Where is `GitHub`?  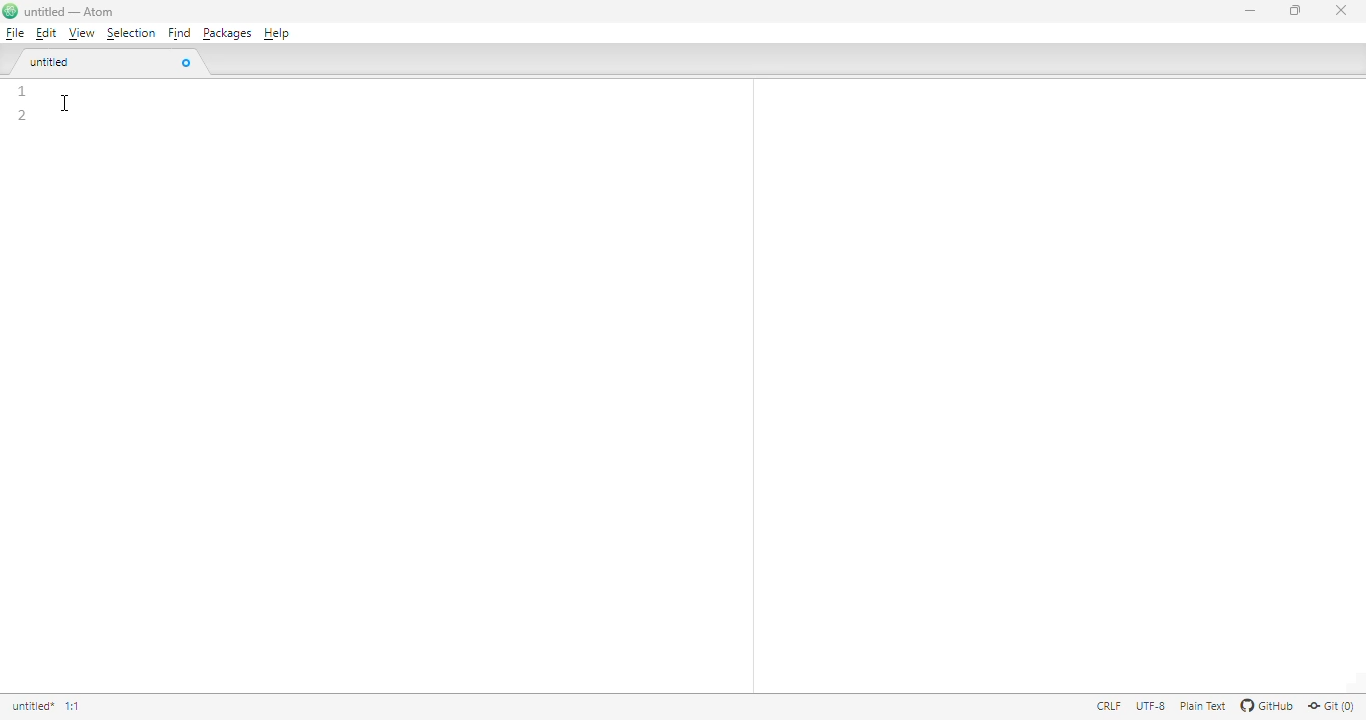 GitHub is located at coordinates (1266, 705).